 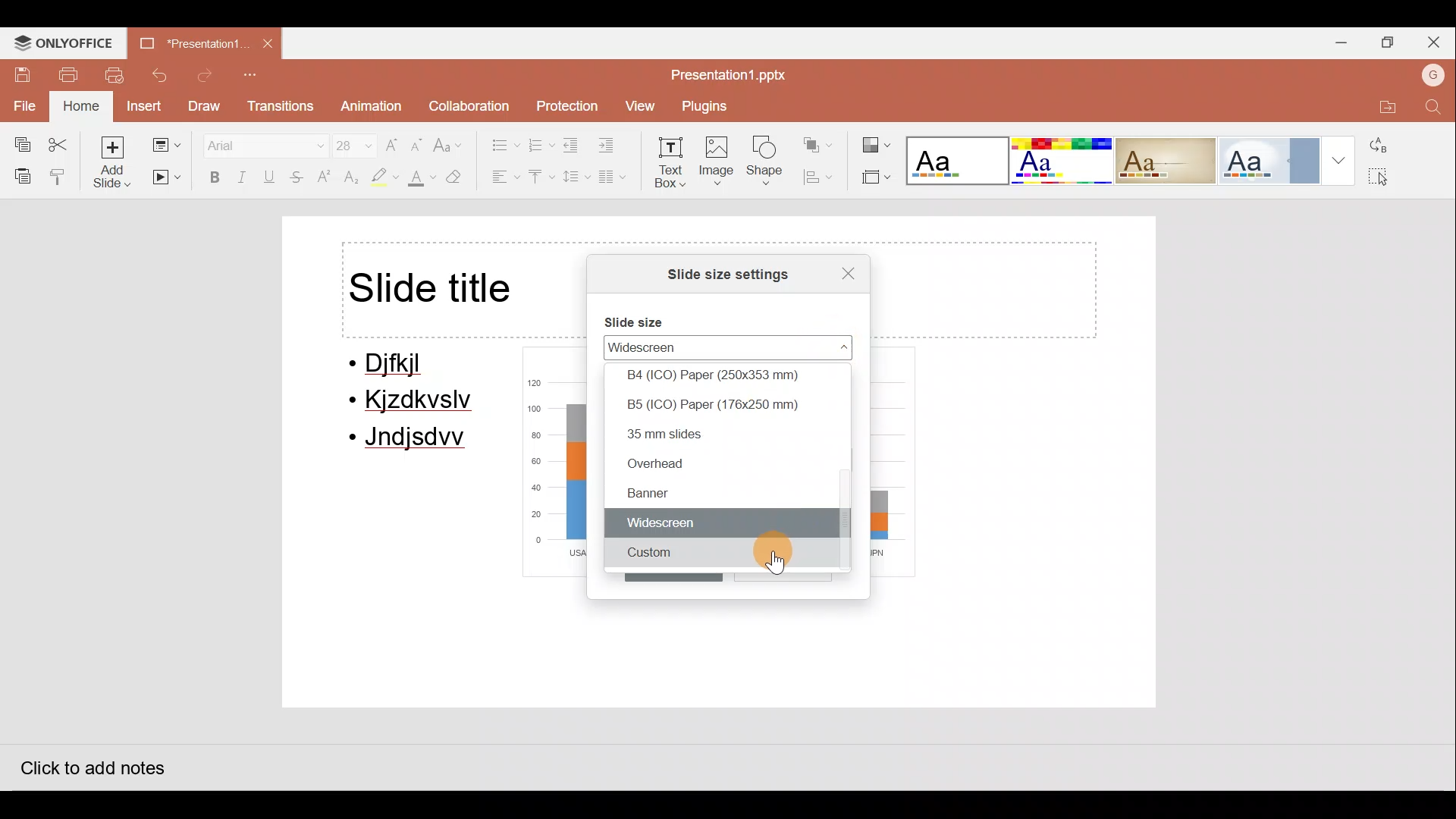 I want to click on B4 (ICO) Paper (250*353 mm), so click(x=730, y=375).